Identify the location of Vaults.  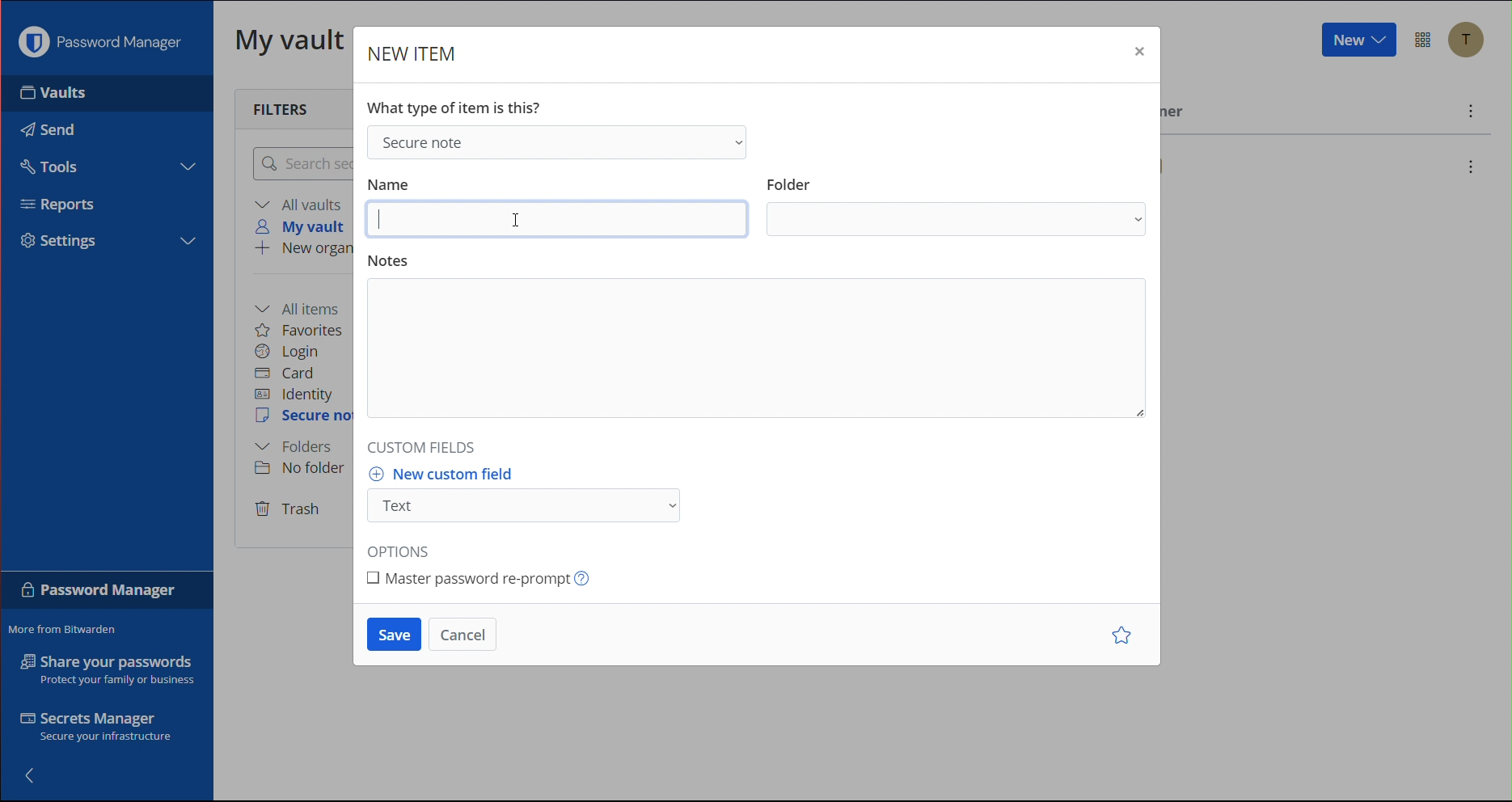
(80, 93).